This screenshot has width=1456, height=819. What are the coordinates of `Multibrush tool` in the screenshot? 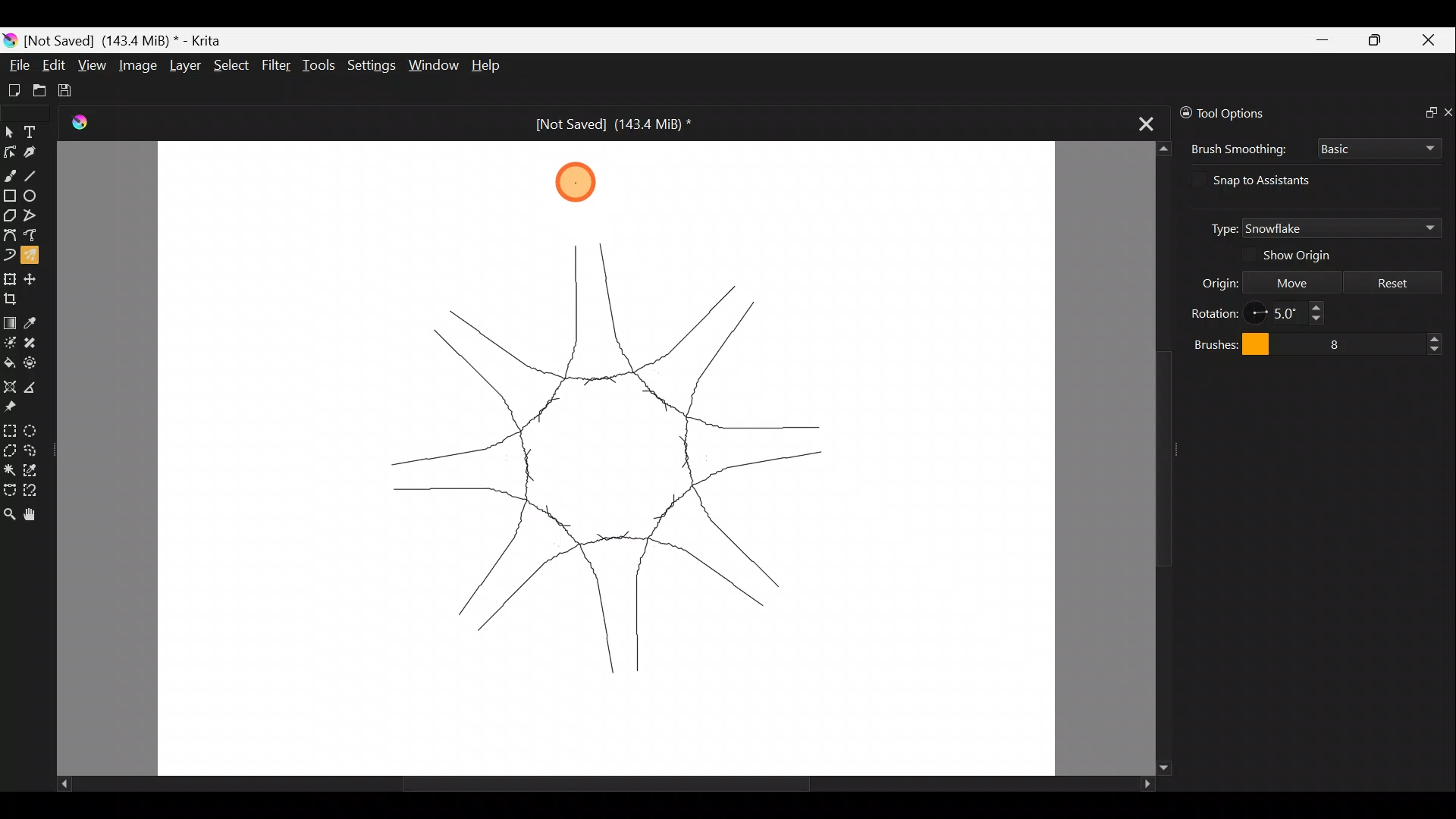 It's located at (32, 259).